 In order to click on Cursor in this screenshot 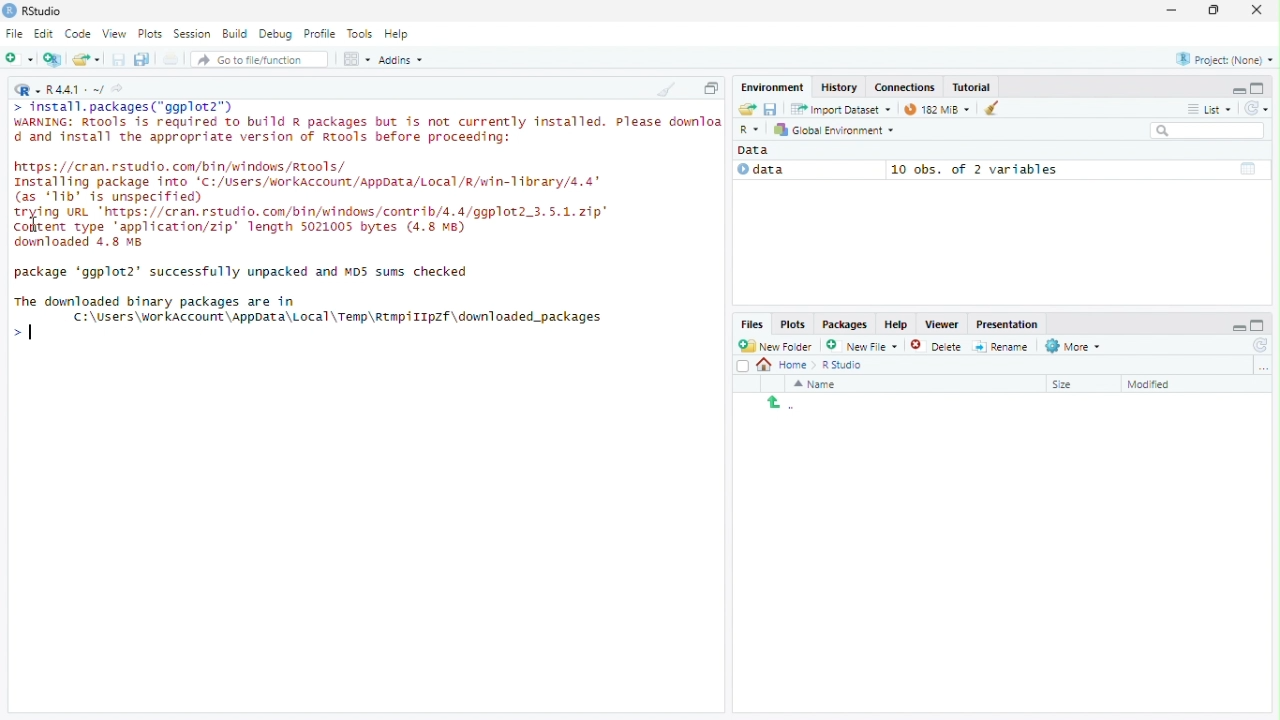, I will do `click(29, 332)`.